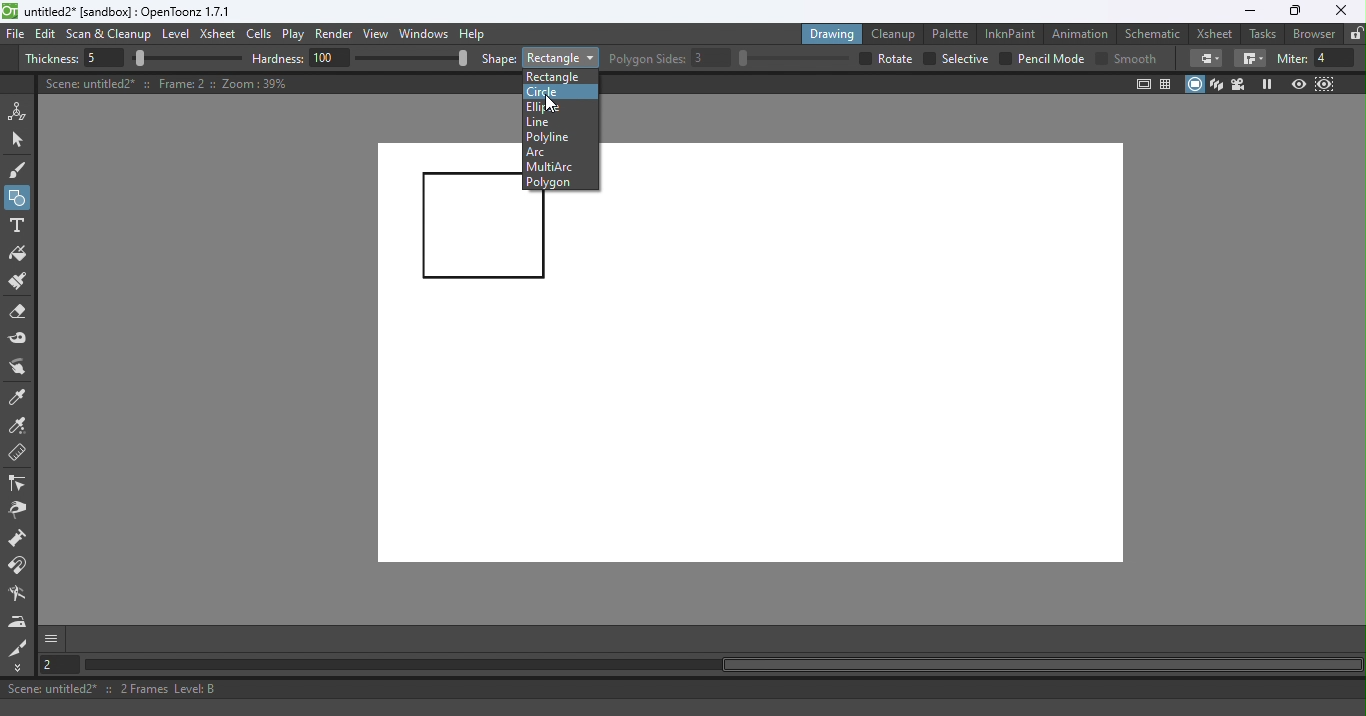 The height and width of the screenshot is (716, 1366). What do you see at coordinates (1196, 84) in the screenshot?
I see `Camera stand view` at bounding box center [1196, 84].